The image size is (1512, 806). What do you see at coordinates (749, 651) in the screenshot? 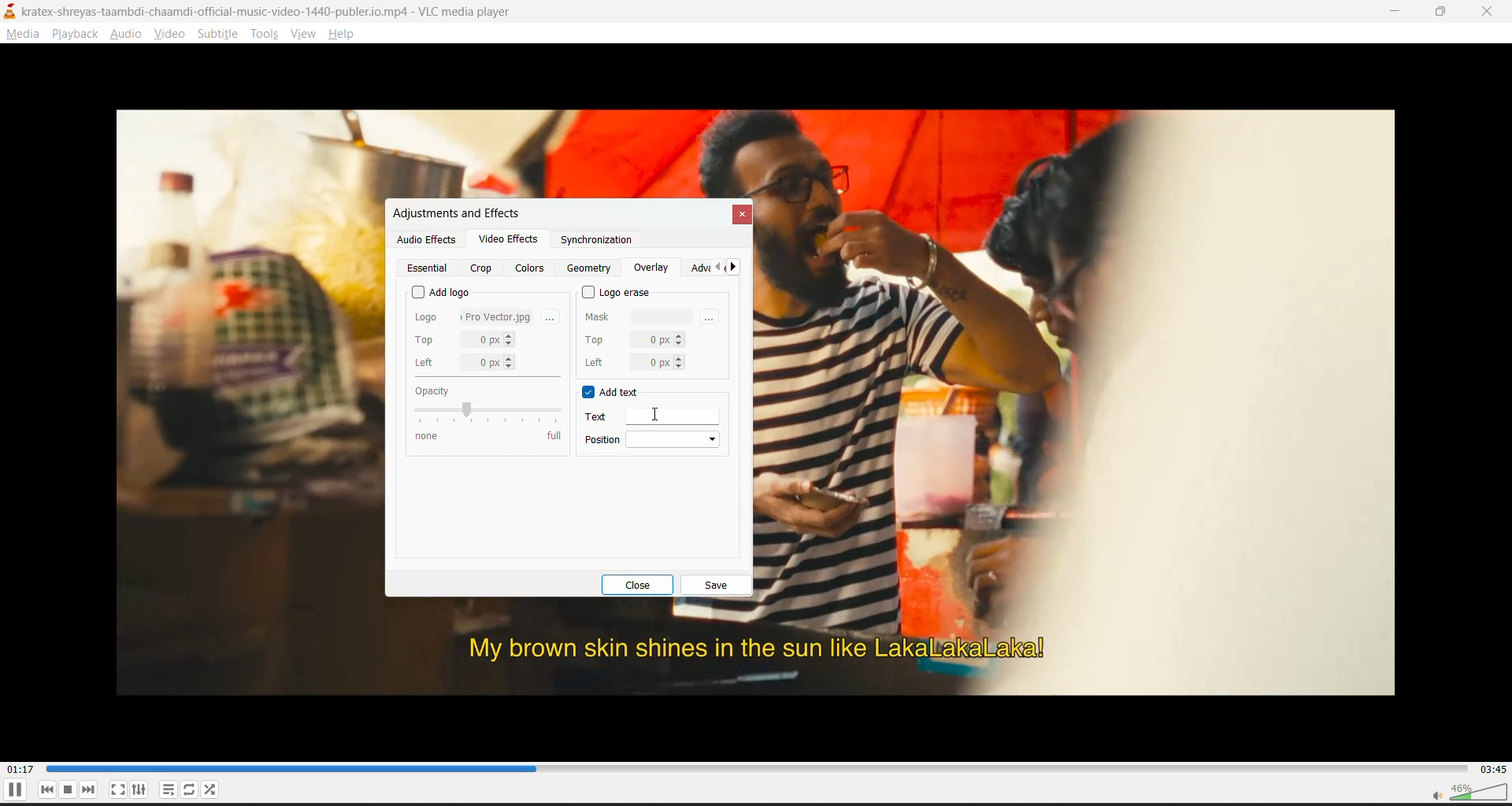
I see `My brown skin shines in the sun like LakaLakaLaka!` at bounding box center [749, 651].